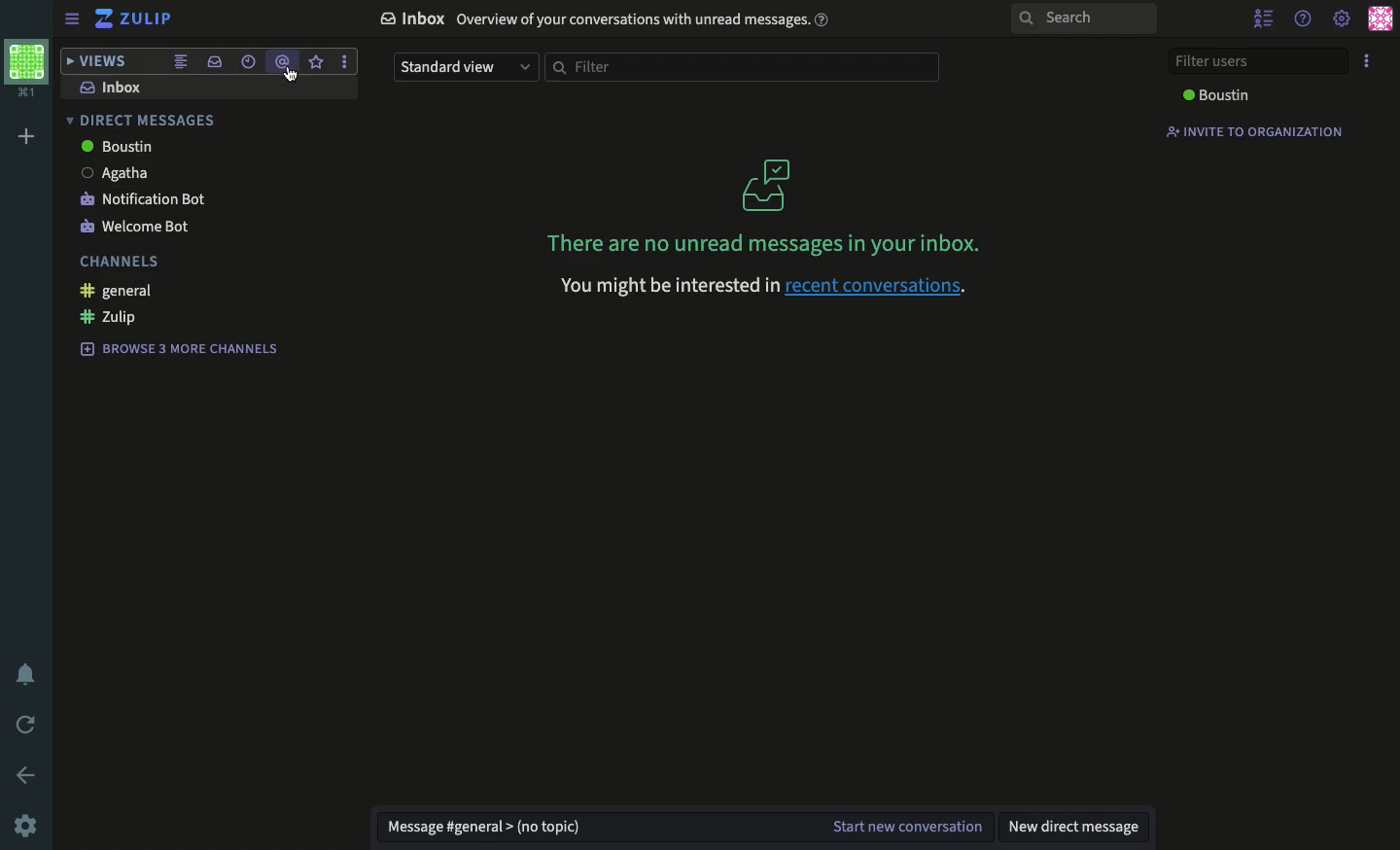 The image size is (1400, 850). What do you see at coordinates (347, 61) in the screenshot?
I see `options` at bounding box center [347, 61].